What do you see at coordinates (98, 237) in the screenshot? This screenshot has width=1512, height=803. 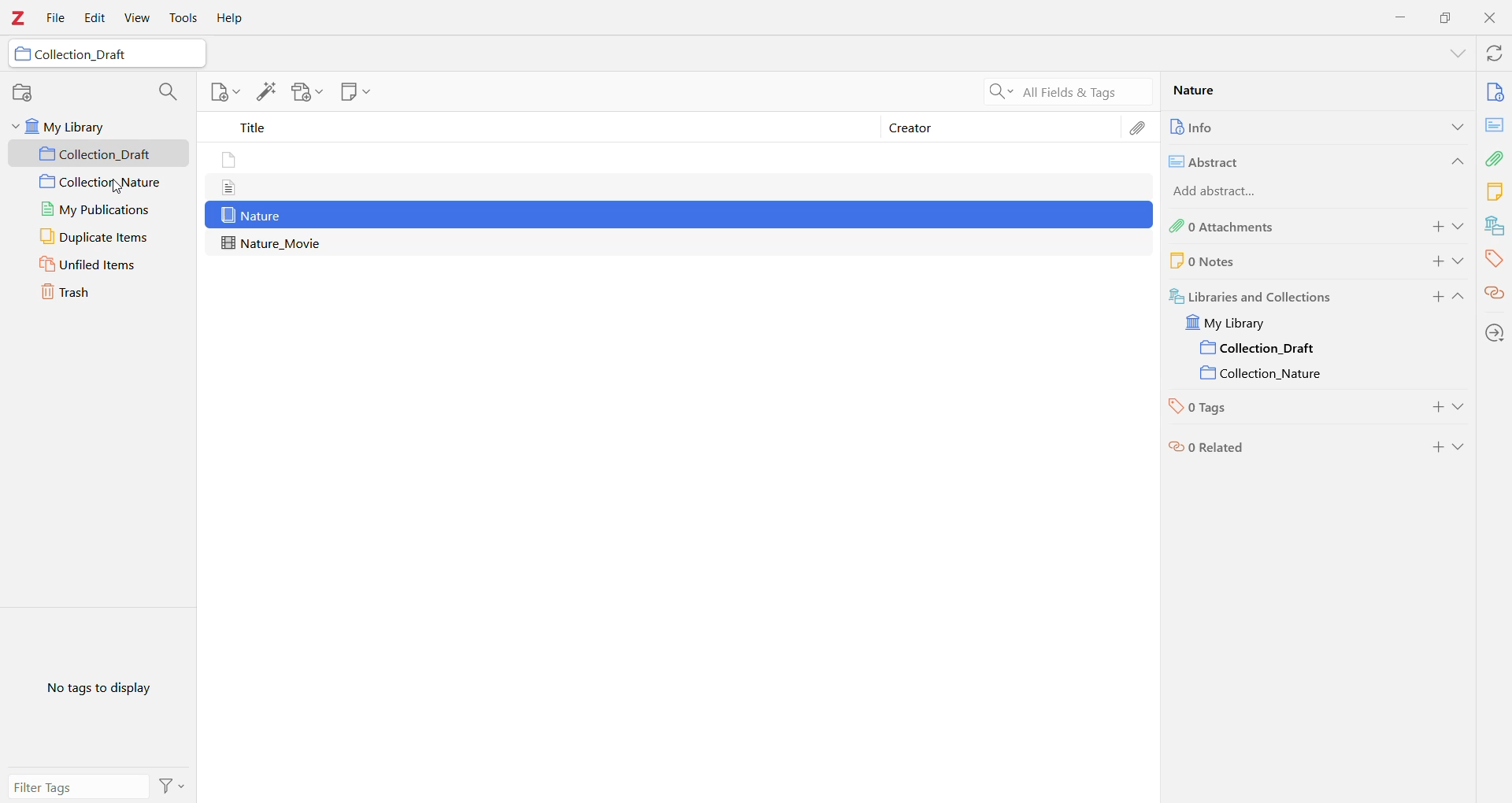 I see `Duplicate Items` at bounding box center [98, 237].